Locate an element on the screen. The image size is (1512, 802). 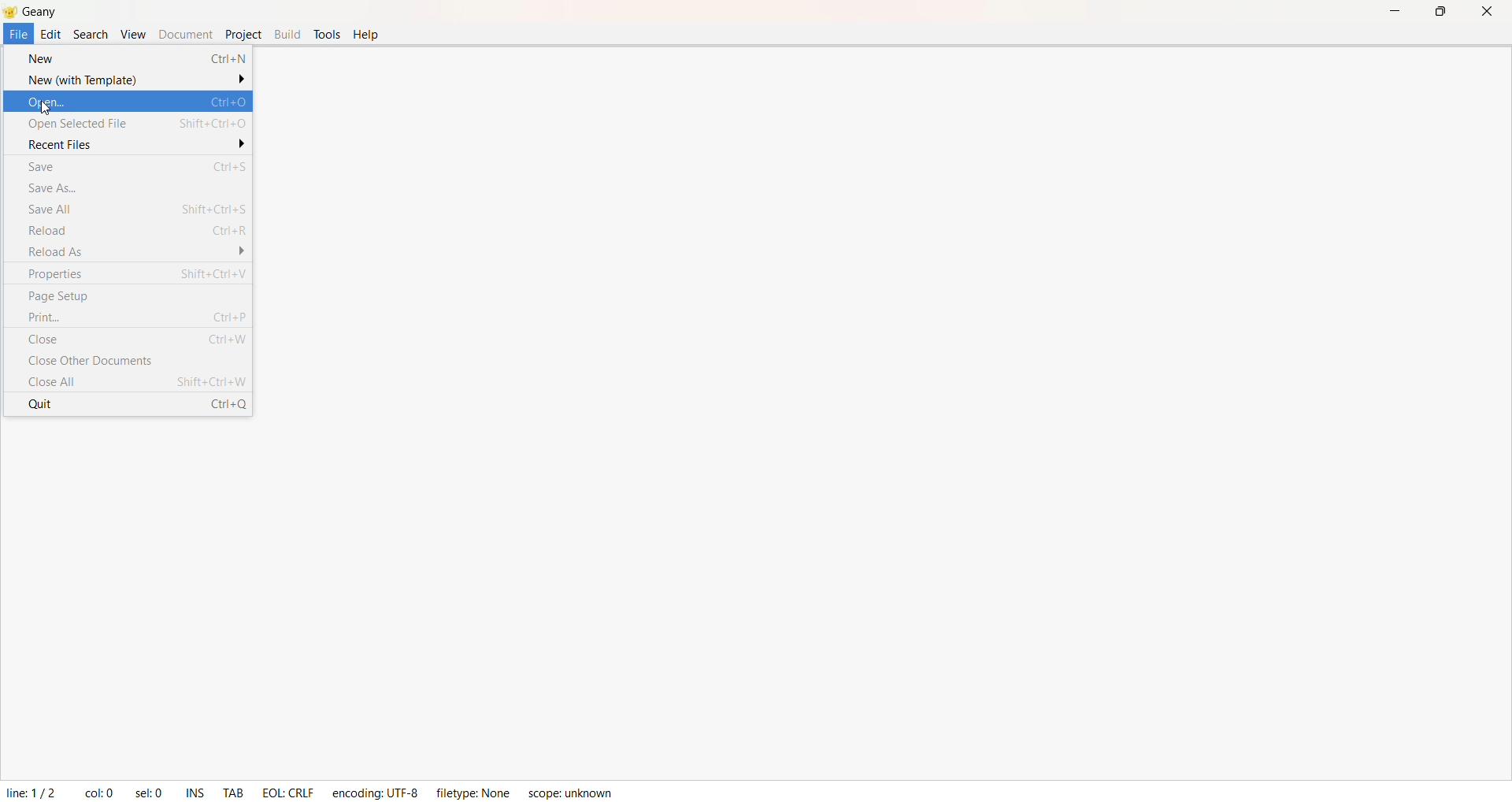
Recent files is located at coordinates (134, 144).